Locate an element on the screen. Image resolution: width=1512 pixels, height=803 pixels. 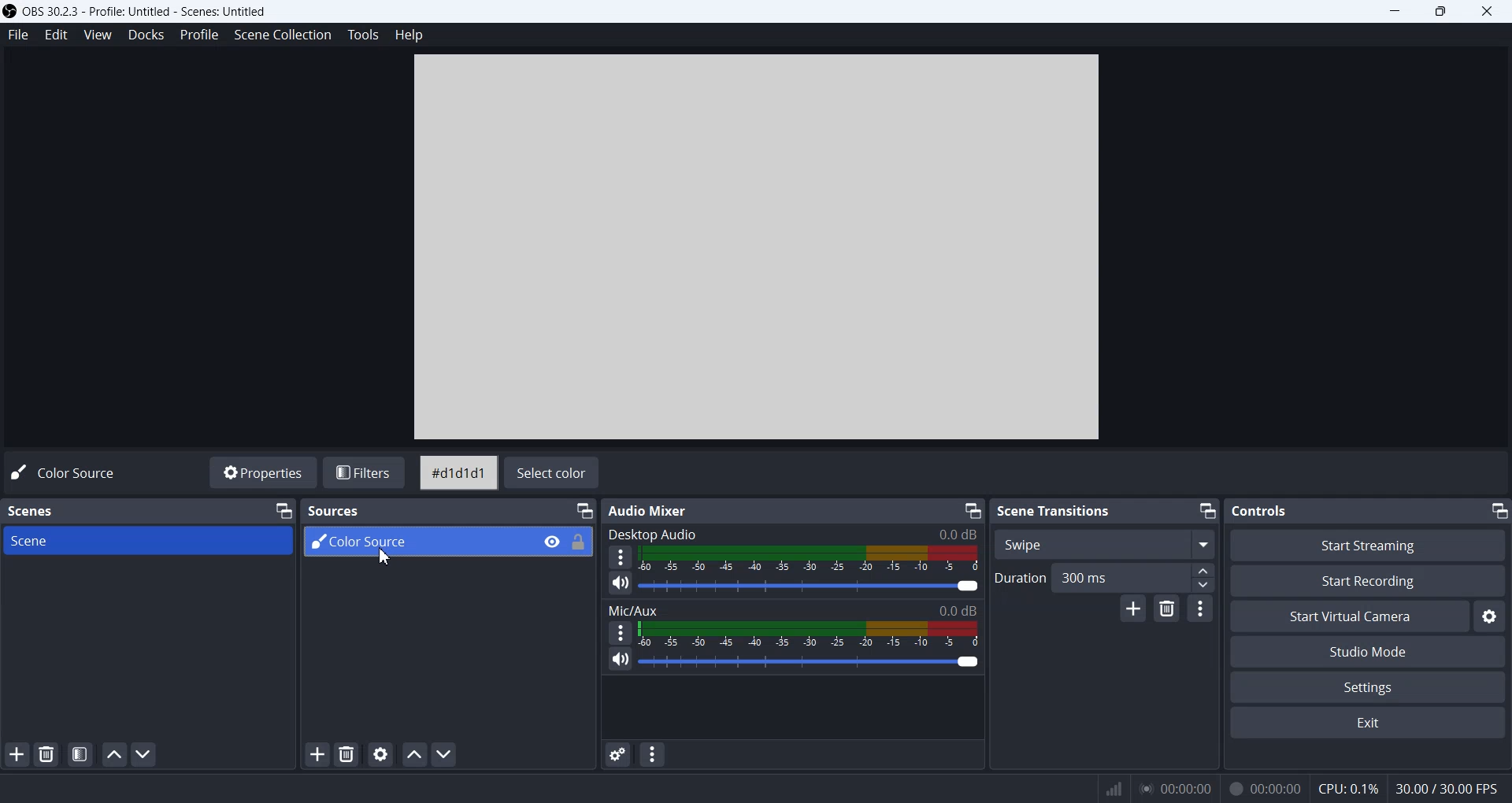
Scene Collection is located at coordinates (283, 35).